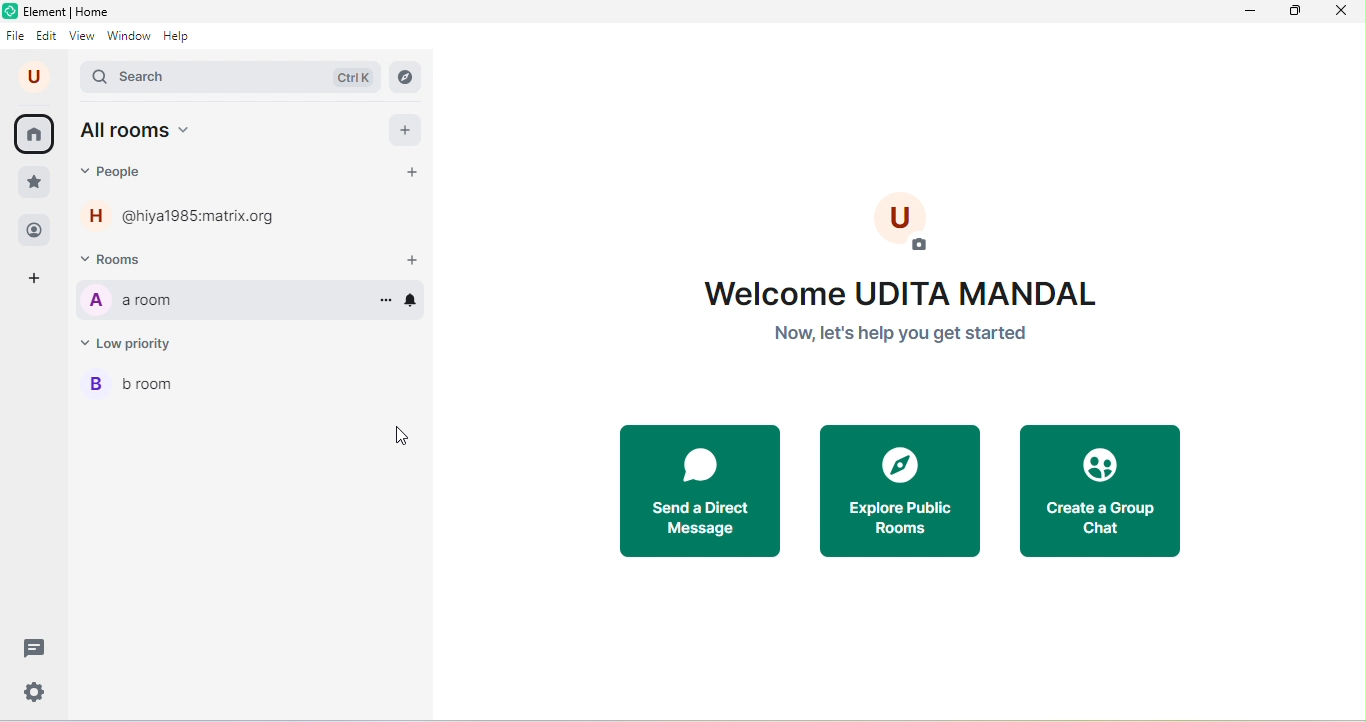 This screenshot has width=1366, height=722. Describe the element at coordinates (895, 292) in the screenshot. I see `Welcome UDITA MANDAL` at that location.